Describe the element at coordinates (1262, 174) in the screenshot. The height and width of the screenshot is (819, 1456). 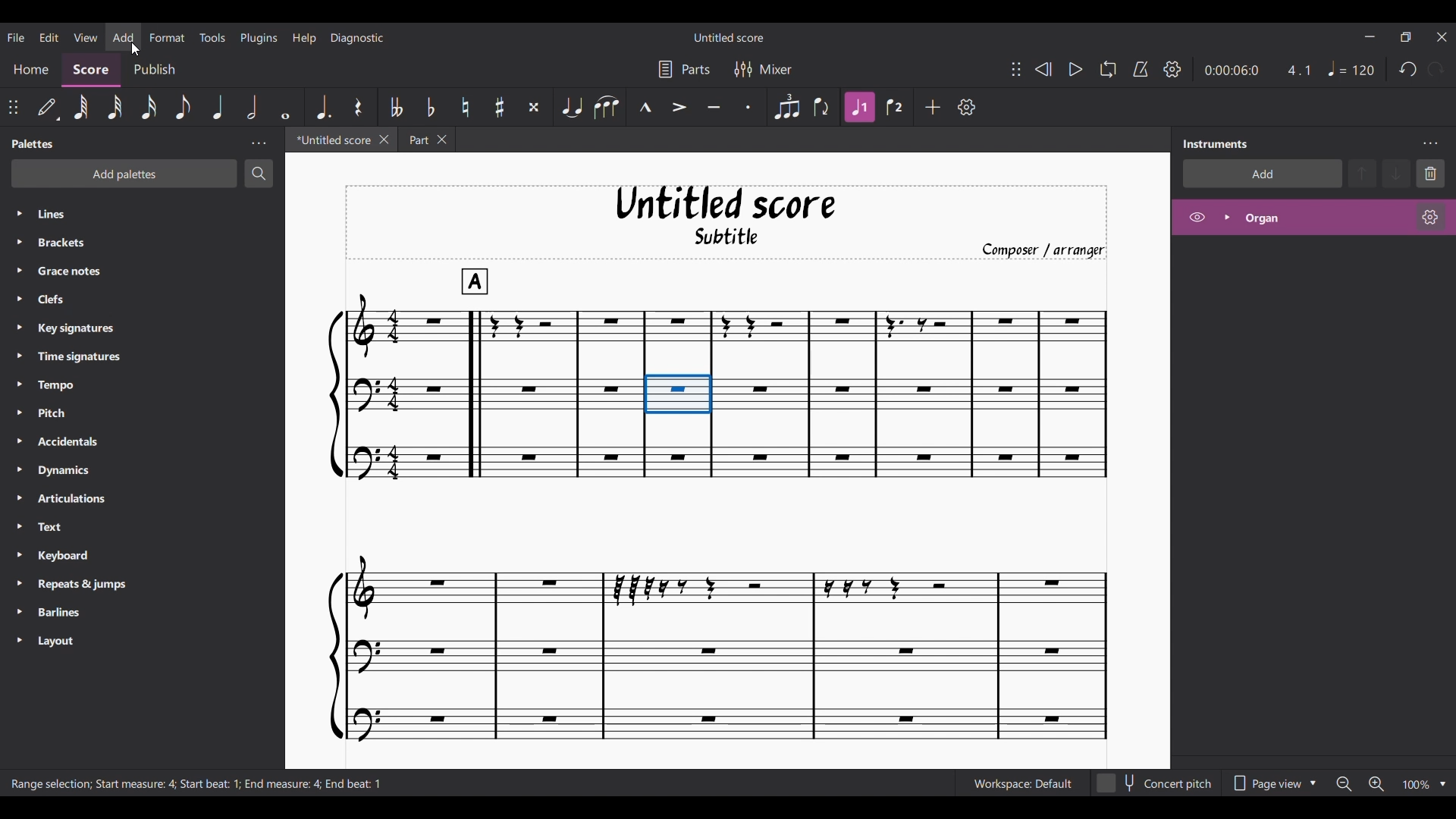
I see `Add instrument` at that location.